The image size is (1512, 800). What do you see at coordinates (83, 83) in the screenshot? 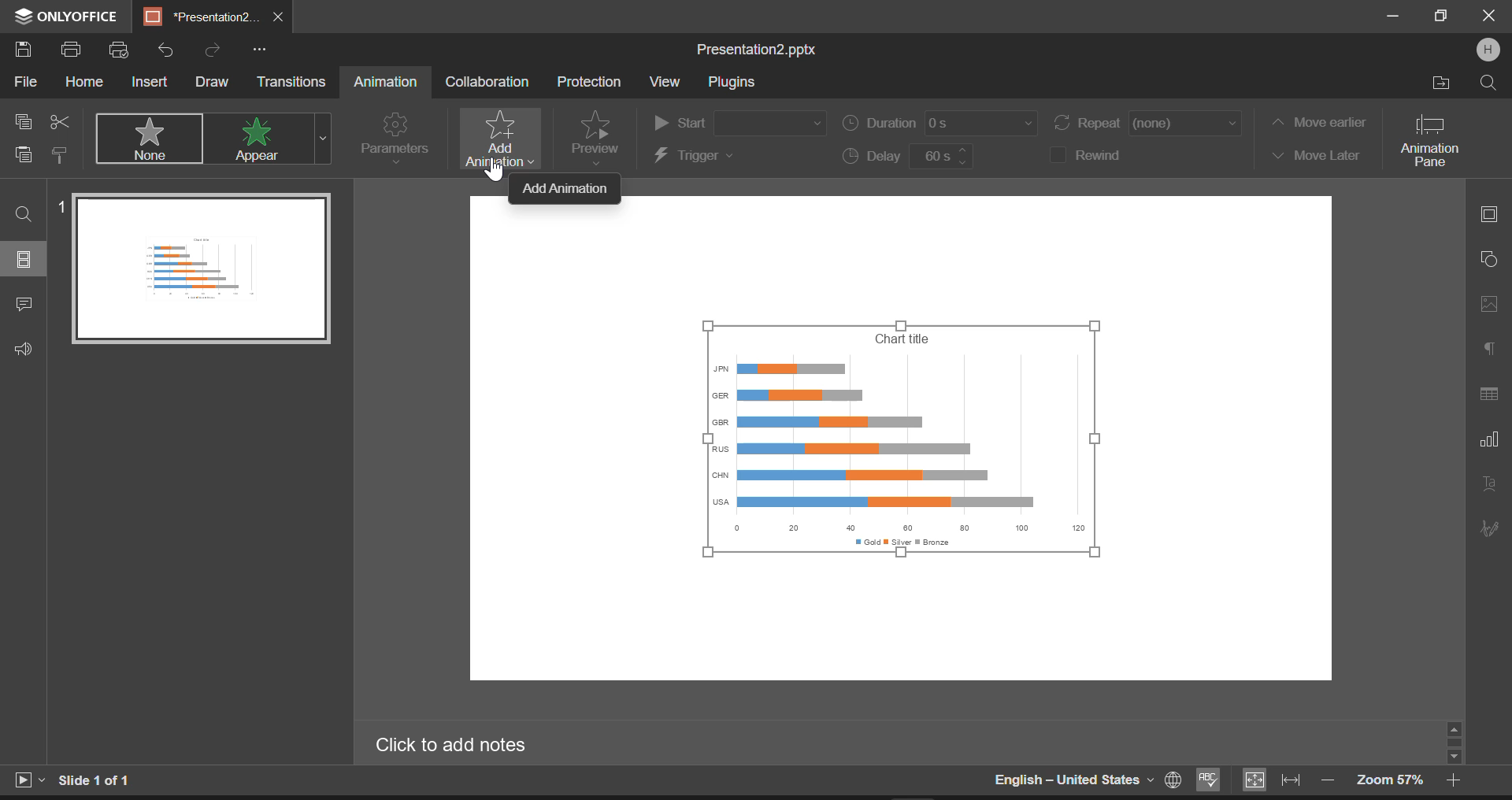
I see `Home Menu` at bounding box center [83, 83].